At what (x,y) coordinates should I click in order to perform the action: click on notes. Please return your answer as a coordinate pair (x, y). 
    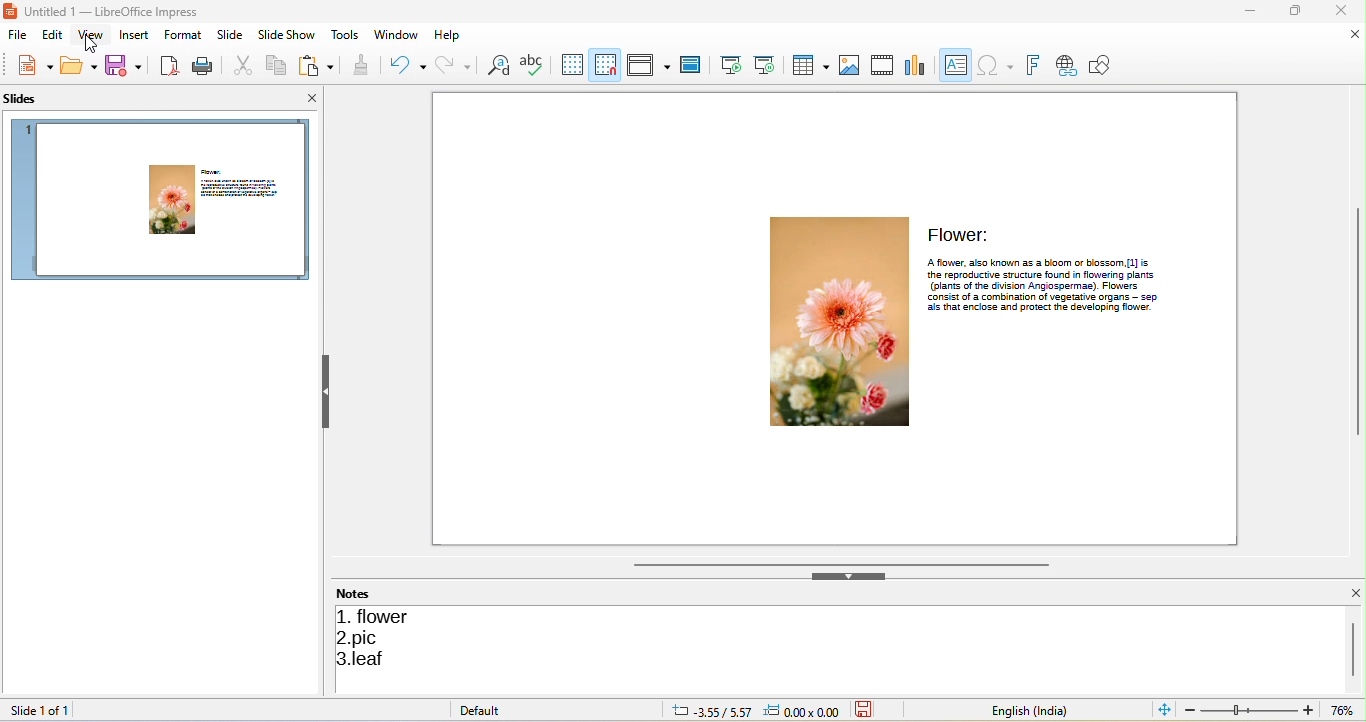
    Looking at the image, I should click on (362, 593).